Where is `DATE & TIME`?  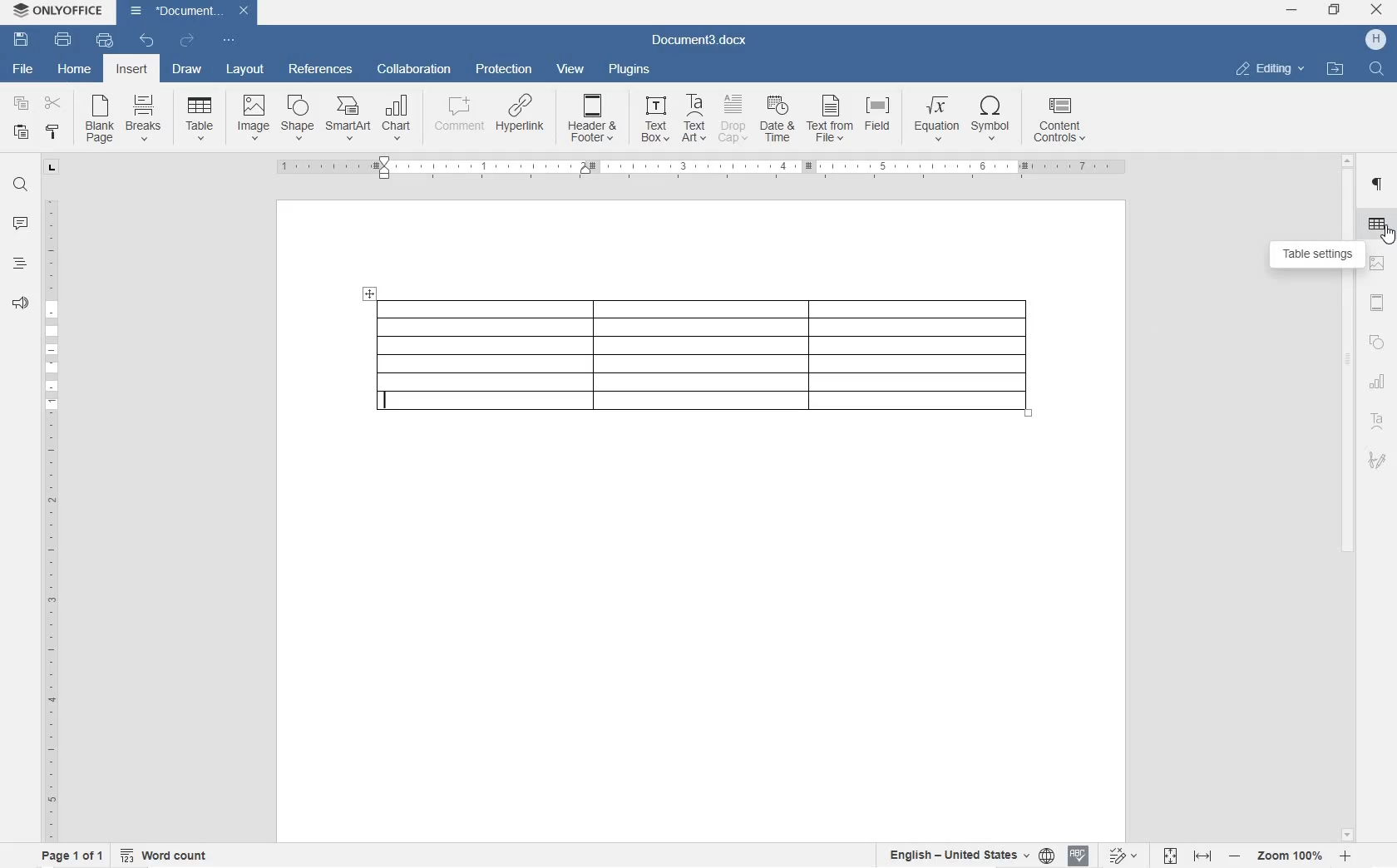 DATE & TIME is located at coordinates (778, 120).